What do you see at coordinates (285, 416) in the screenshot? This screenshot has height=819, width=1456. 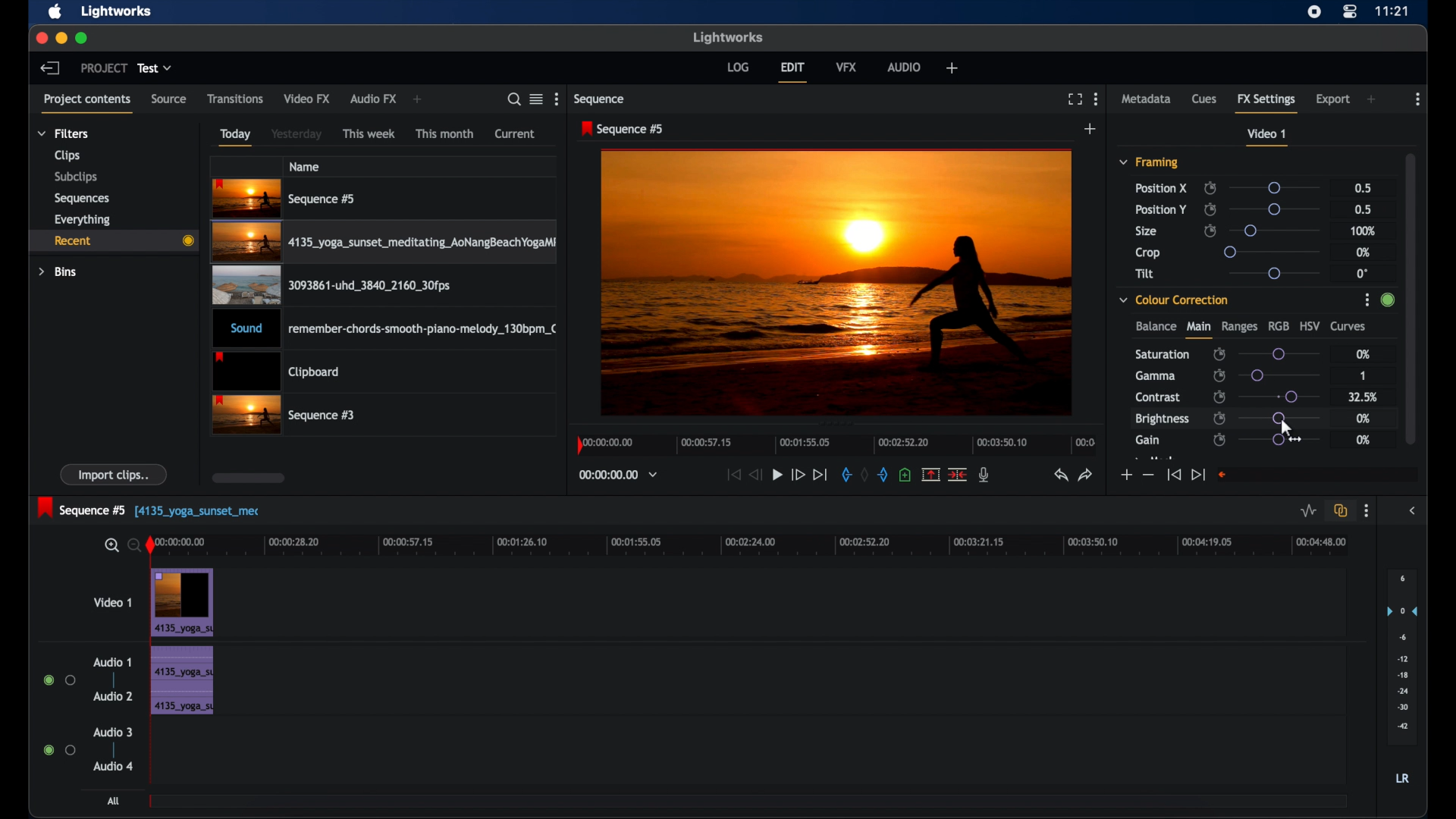 I see `video clip` at bounding box center [285, 416].